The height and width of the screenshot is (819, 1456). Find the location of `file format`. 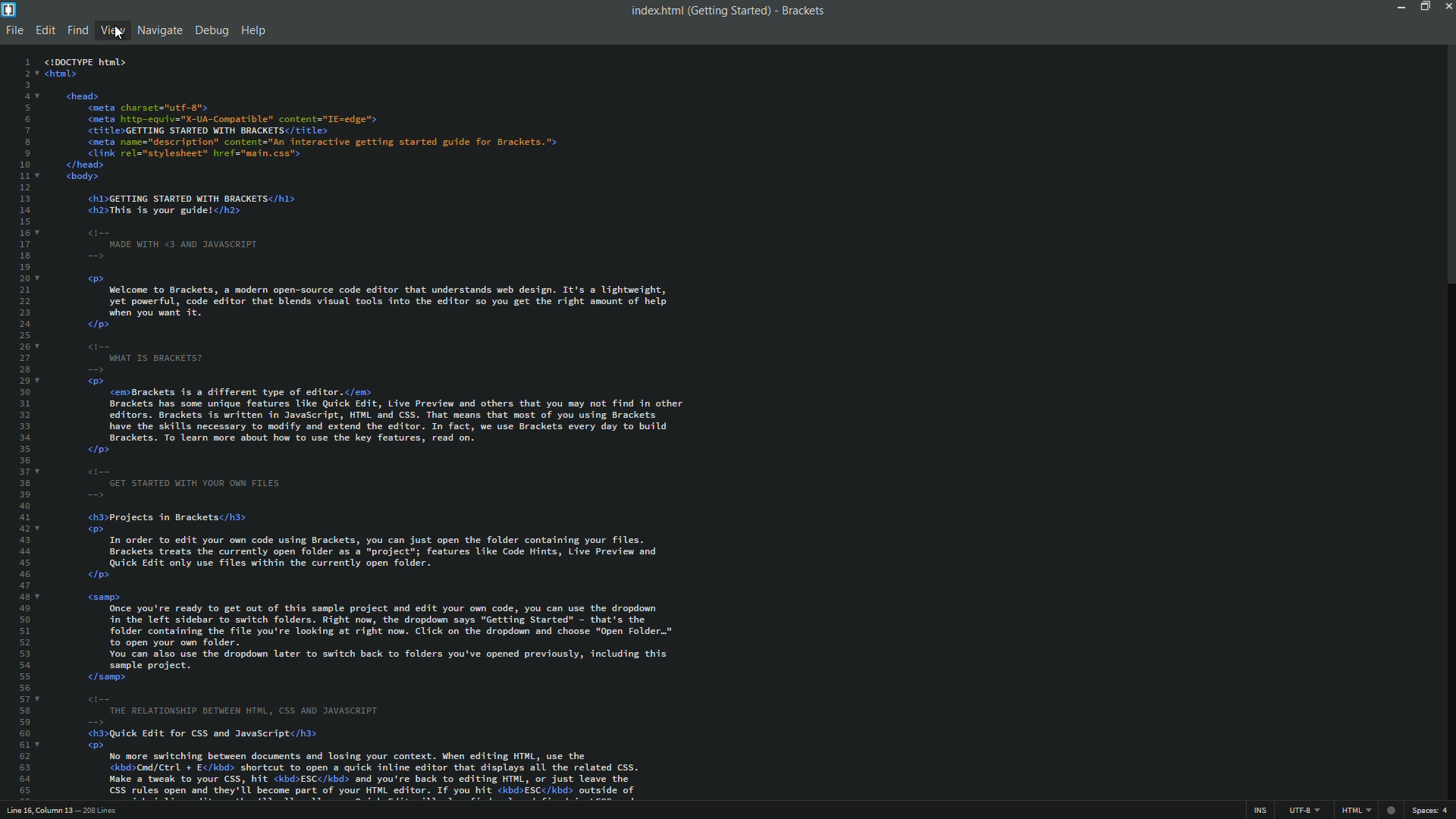

file format is located at coordinates (1358, 811).